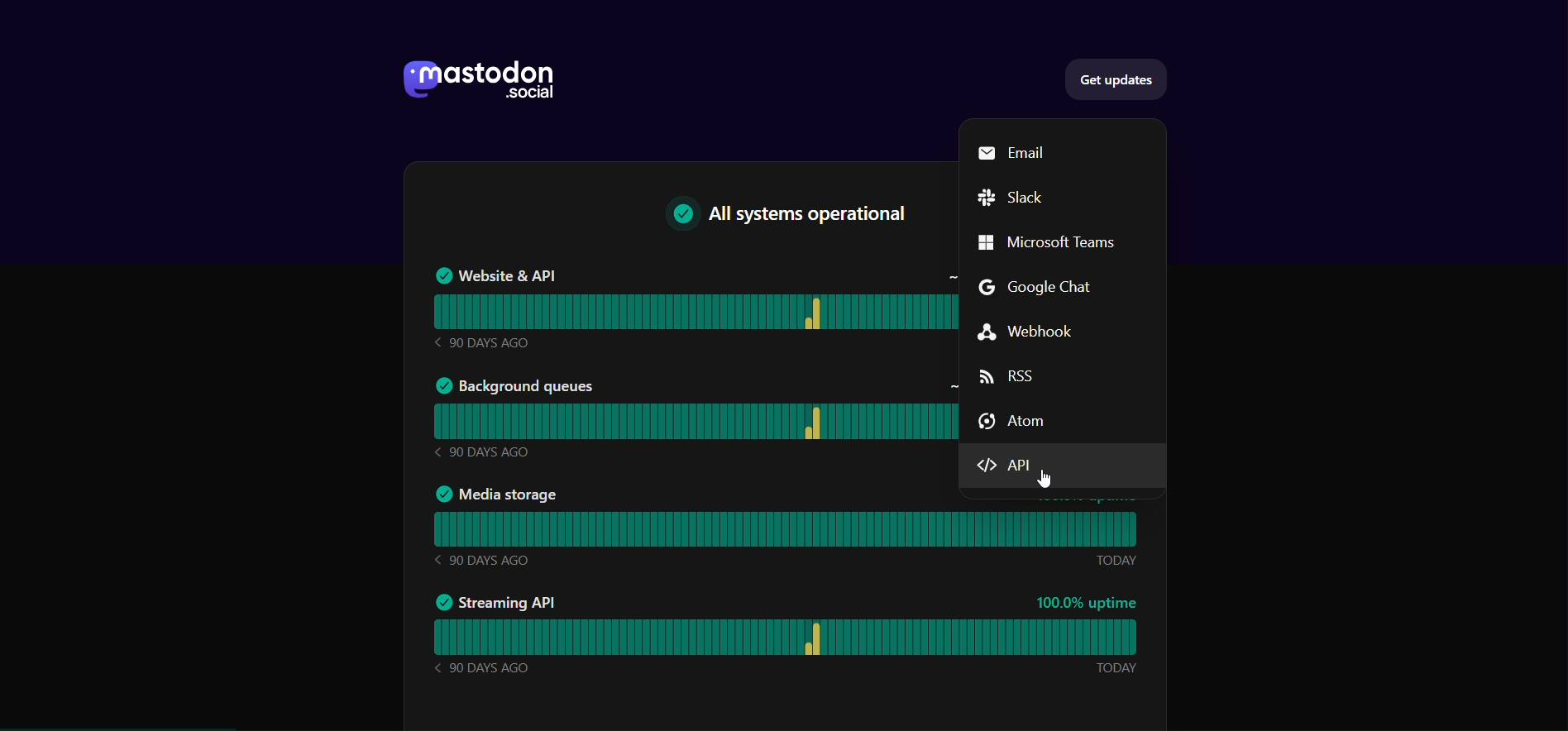 The width and height of the screenshot is (1568, 731). What do you see at coordinates (1046, 332) in the screenshot?
I see `Webhook` at bounding box center [1046, 332].